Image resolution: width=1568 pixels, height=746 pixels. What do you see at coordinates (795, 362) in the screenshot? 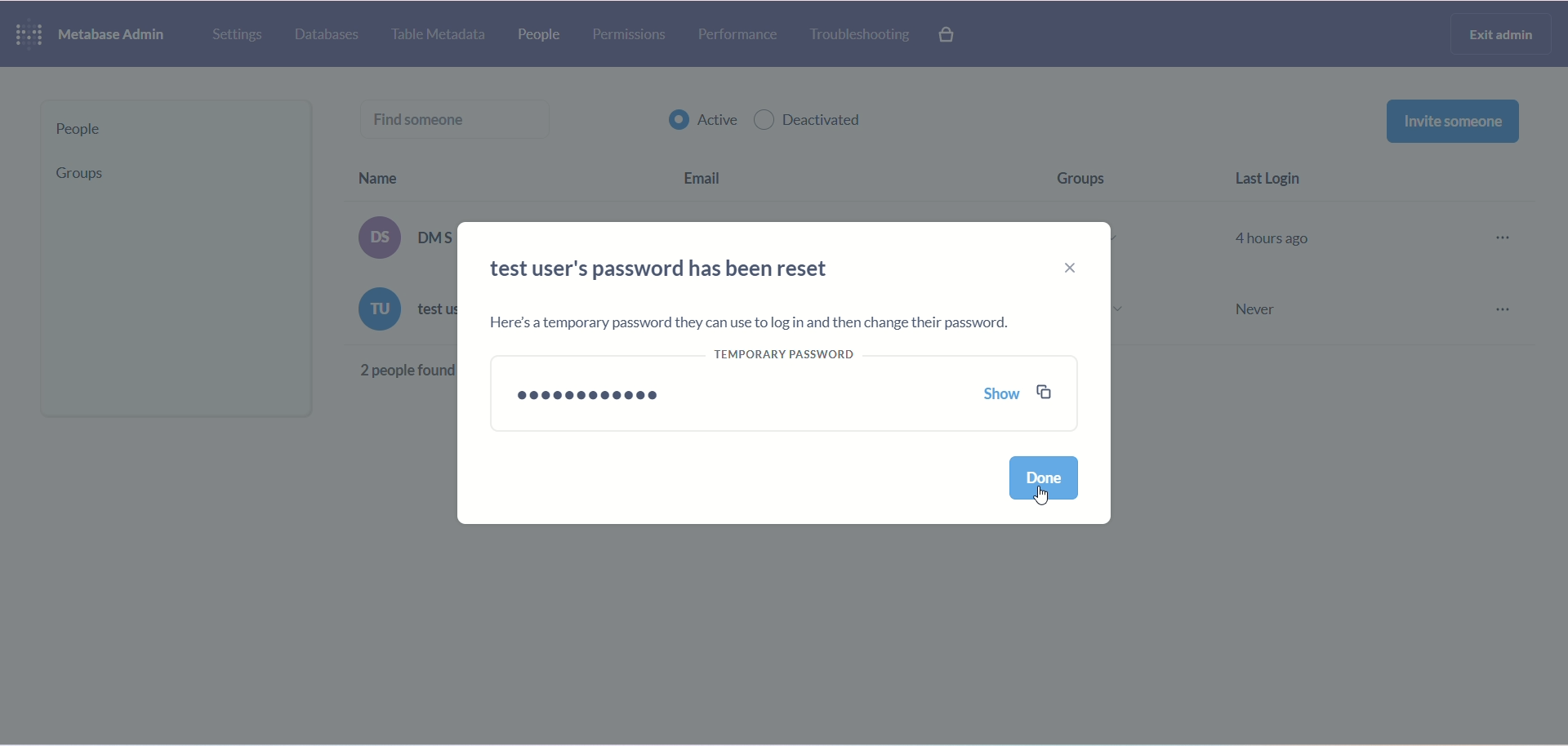
I see `temporary use` at bounding box center [795, 362].